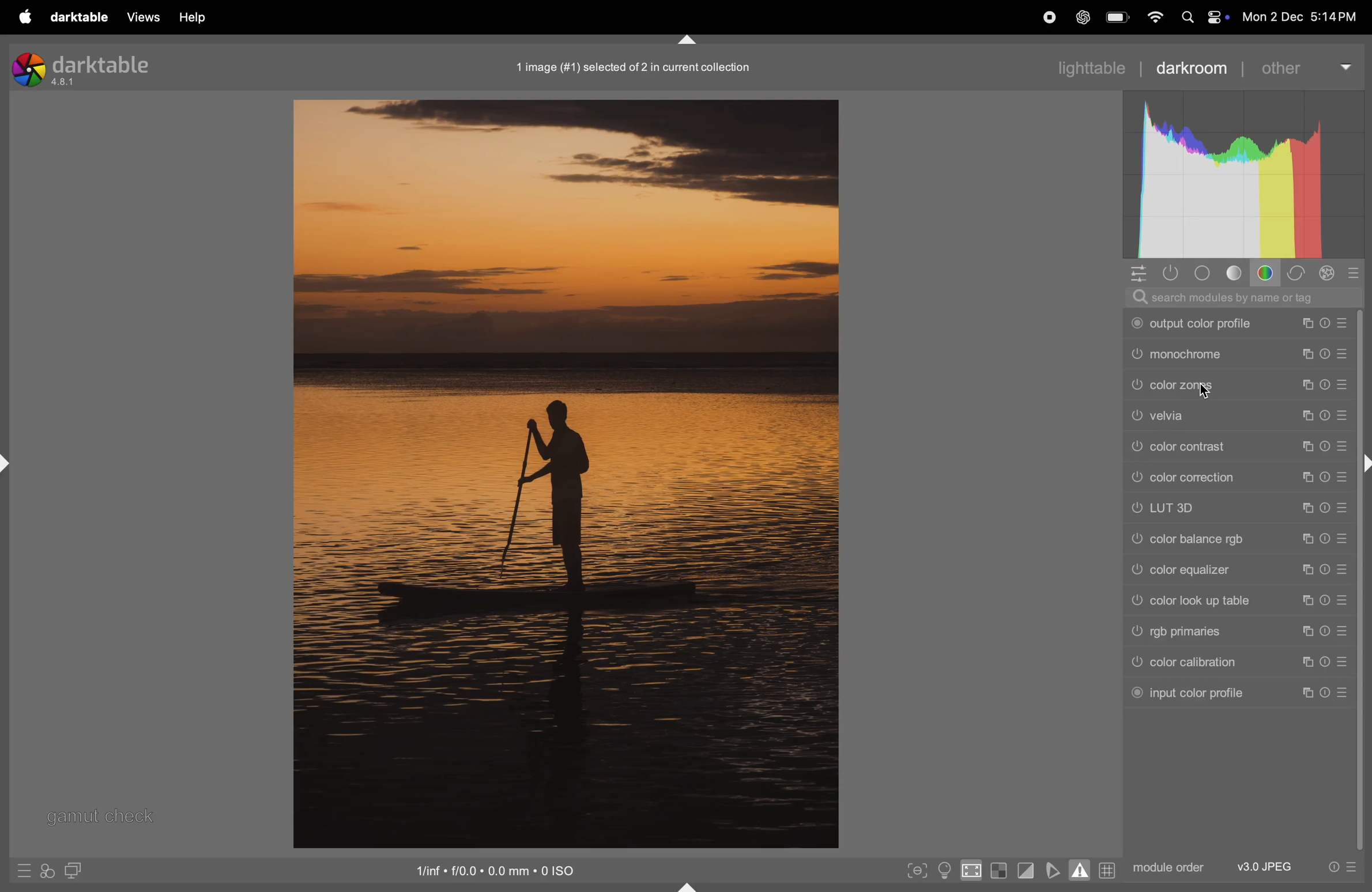 This screenshot has width=1372, height=892. What do you see at coordinates (1324, 570) in the screenshot?
I see `Timer` at bounding box center [1324, 570].